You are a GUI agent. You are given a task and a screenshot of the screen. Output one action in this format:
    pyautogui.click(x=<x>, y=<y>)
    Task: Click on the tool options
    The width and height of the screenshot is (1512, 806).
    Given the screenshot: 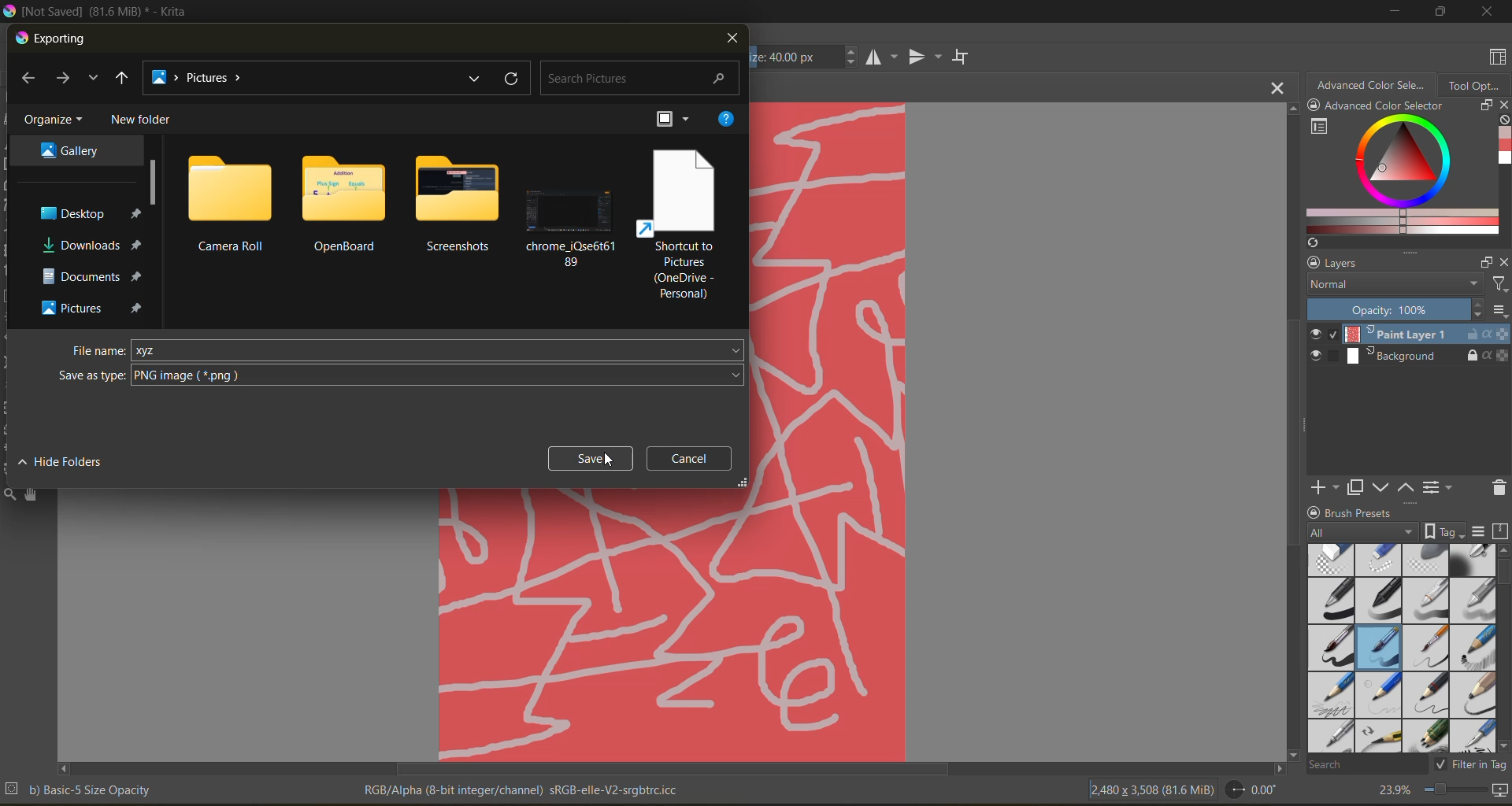 What is the action you would take?
    pyautogui.click(x=1475, y=84)
    